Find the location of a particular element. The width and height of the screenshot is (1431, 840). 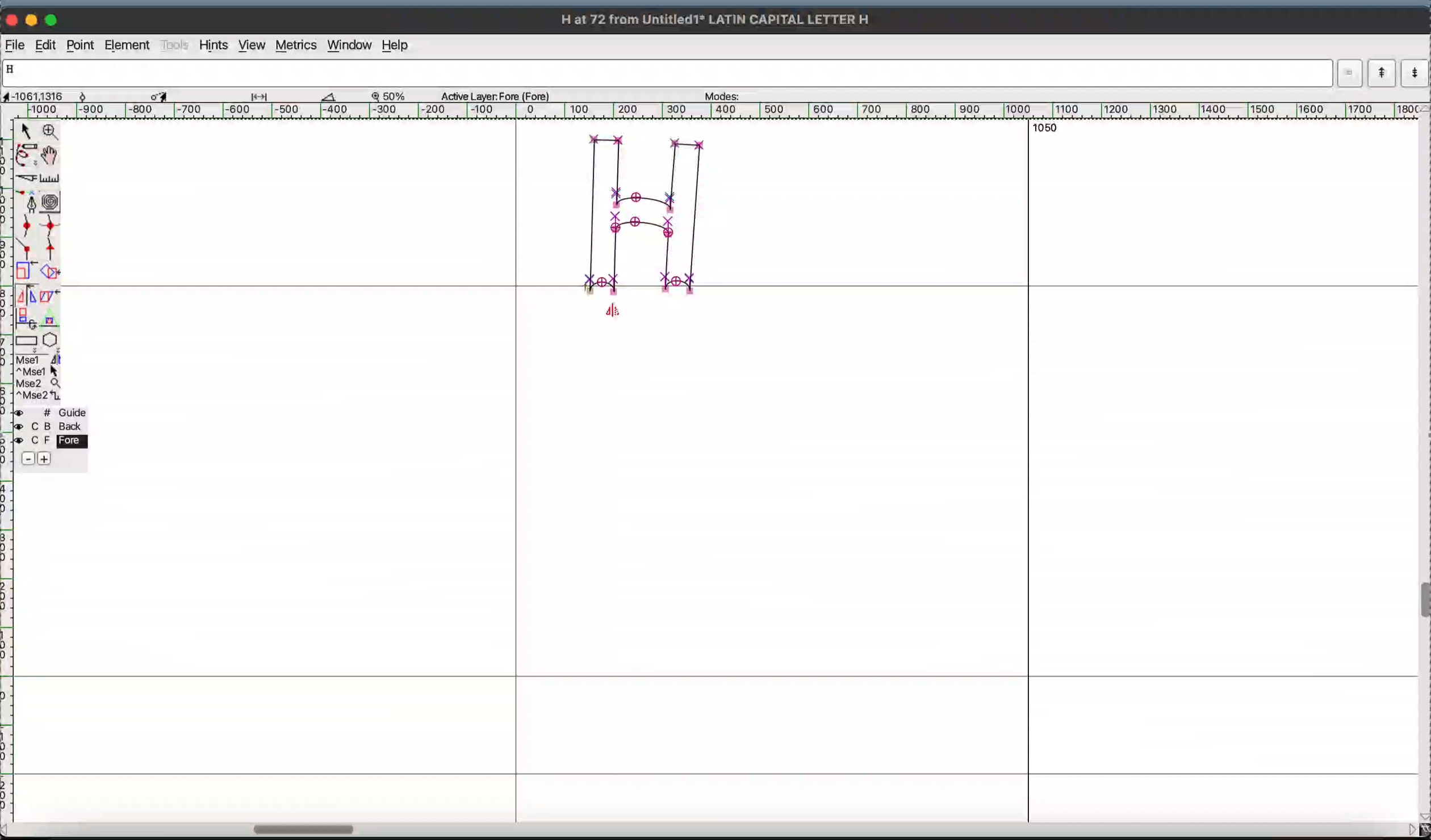

vertical scrollbar is located at coordinates (1422, 471).